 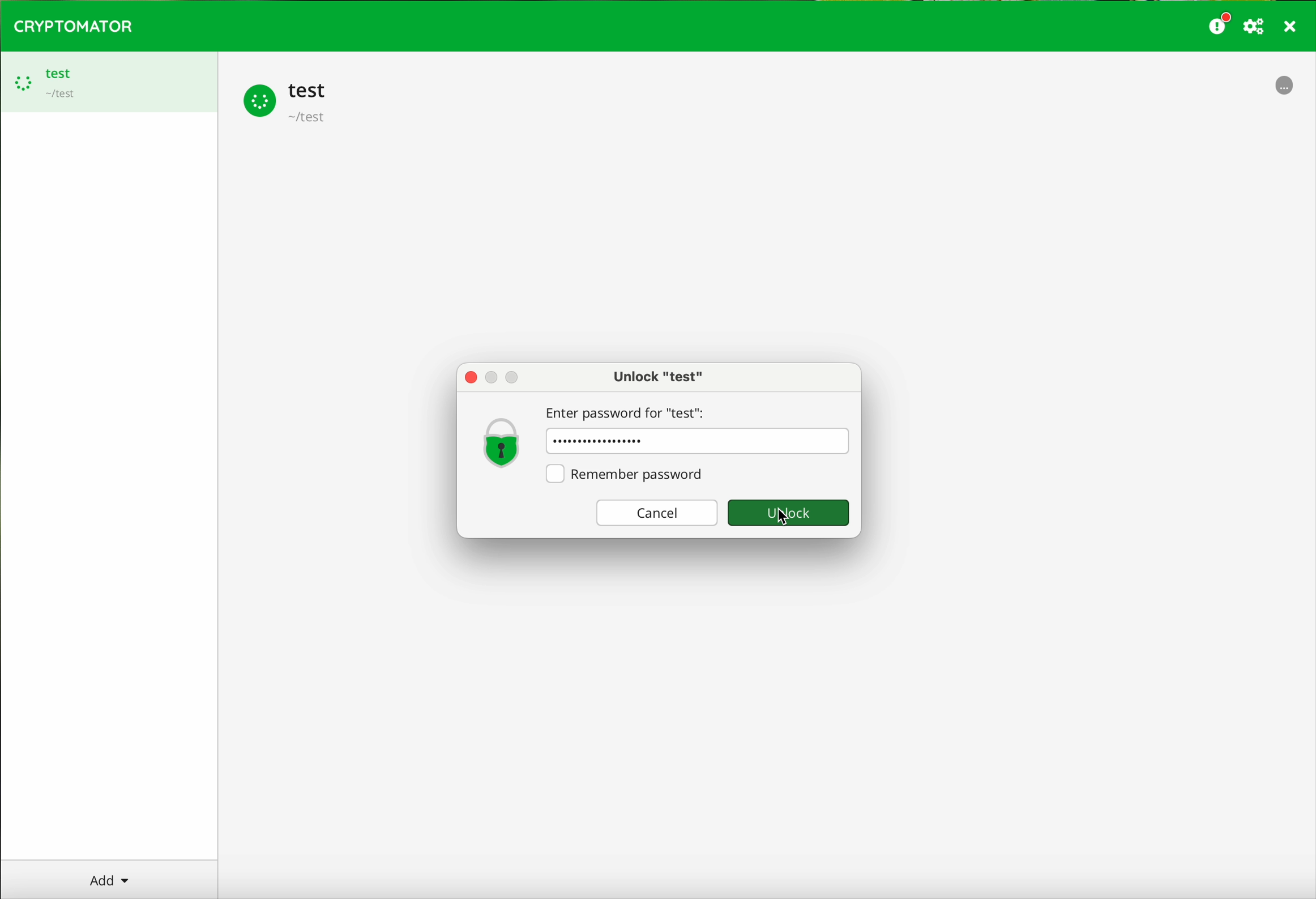 What do you see at coordinates (496, 376) in the screenshot?
I see `Control buttons` at bounding box center [496, 376].